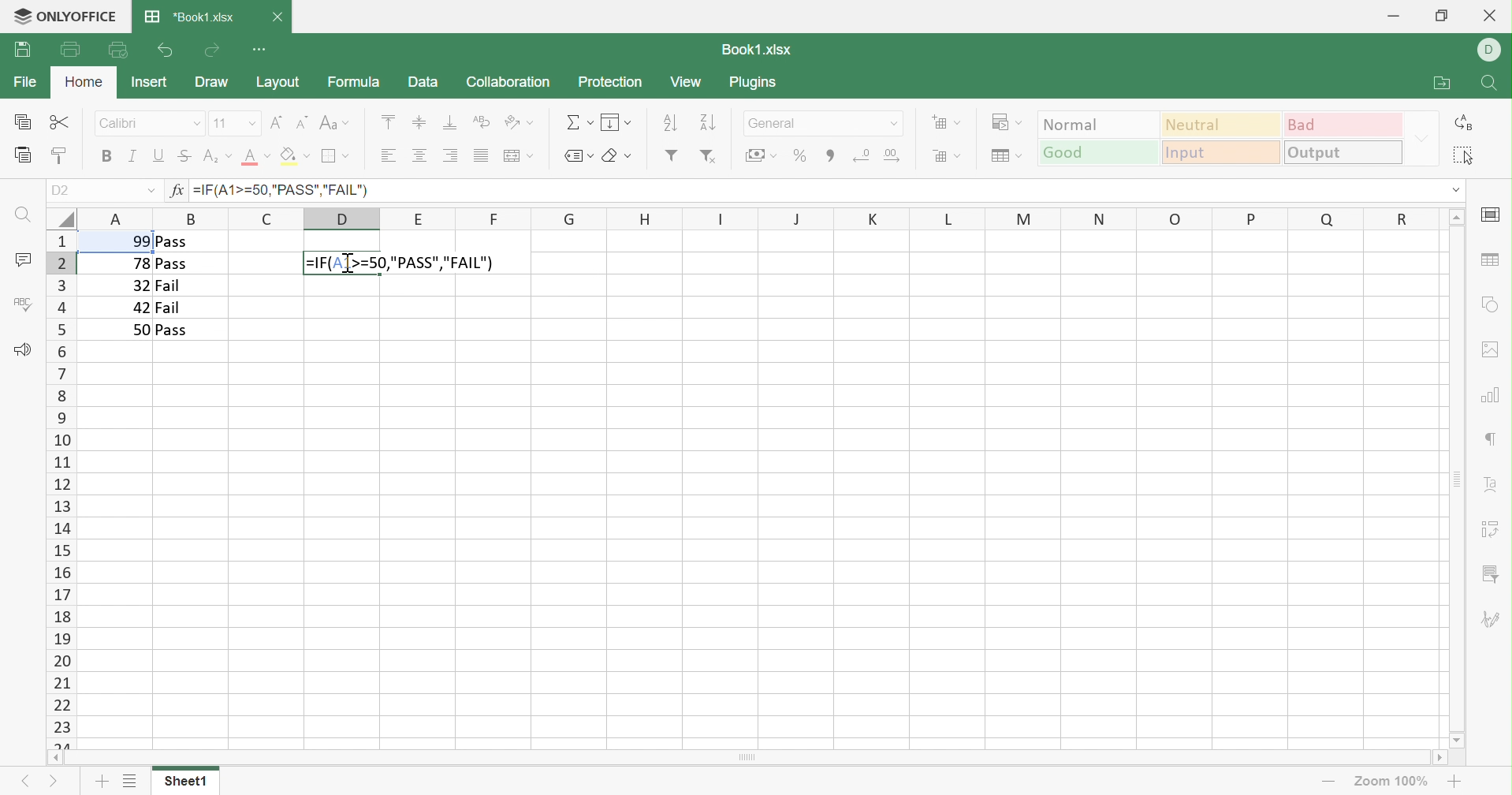 This screenshot has height=795, width=1512. Describe the element at coordinates (747, 759) in the screenshot. I see `Scroll bar` at that location.